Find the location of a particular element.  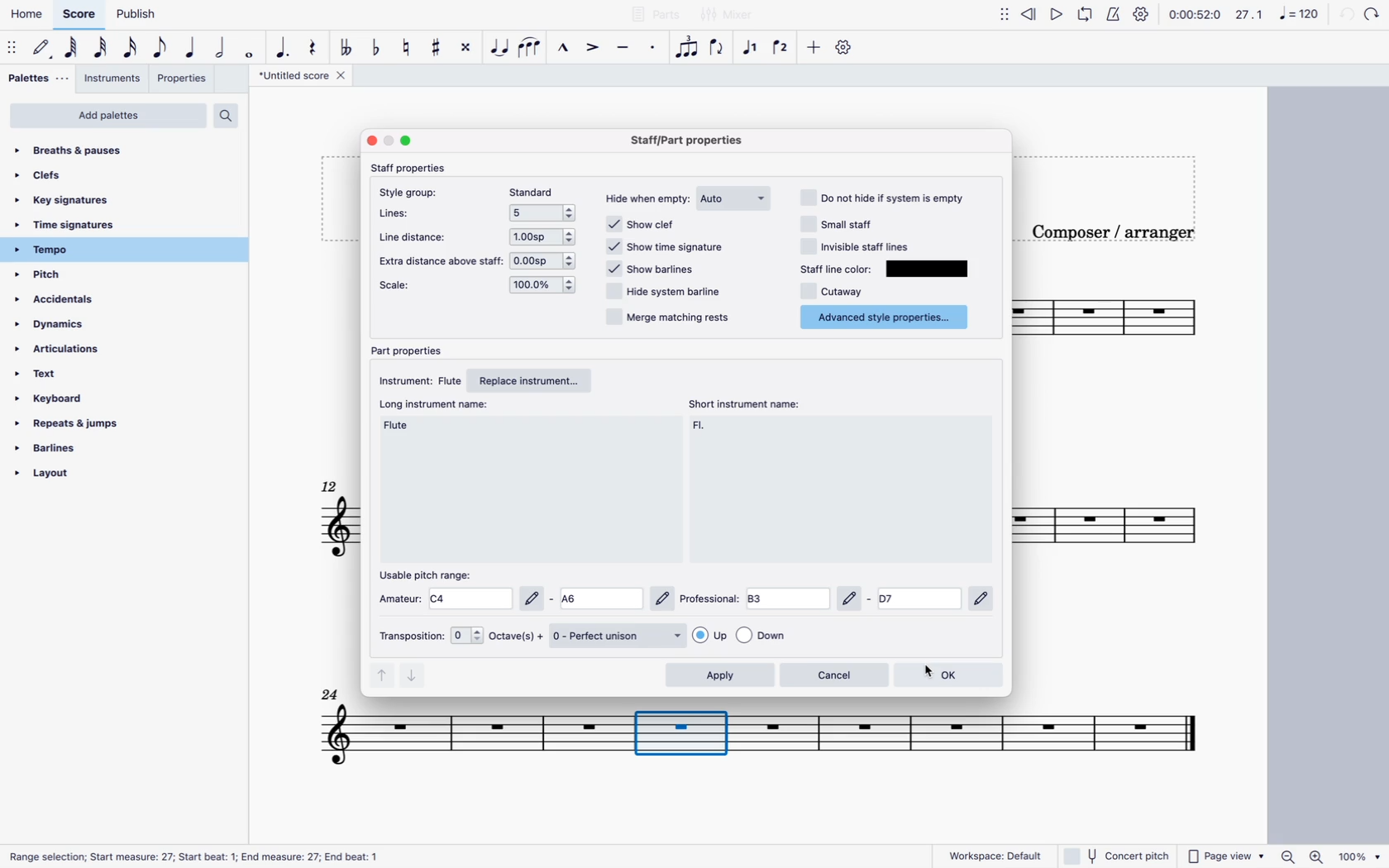

scale is located at coordinates (418, 289).